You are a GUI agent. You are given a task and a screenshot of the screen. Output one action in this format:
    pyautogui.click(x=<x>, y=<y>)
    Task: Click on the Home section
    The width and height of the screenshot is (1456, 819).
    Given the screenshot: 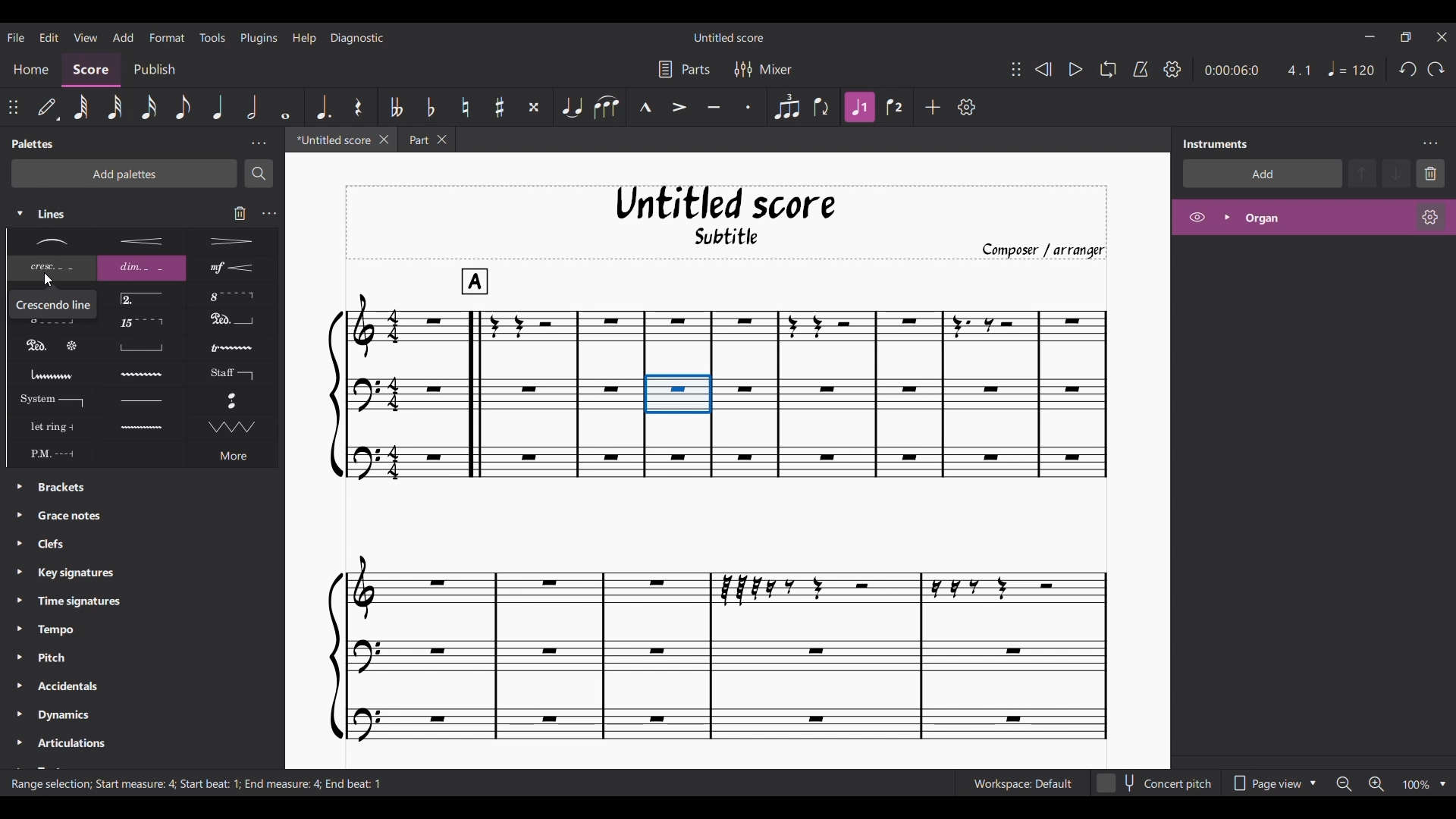 What is the action you would take?
    pyautogui.click(x=30, y=70)
    